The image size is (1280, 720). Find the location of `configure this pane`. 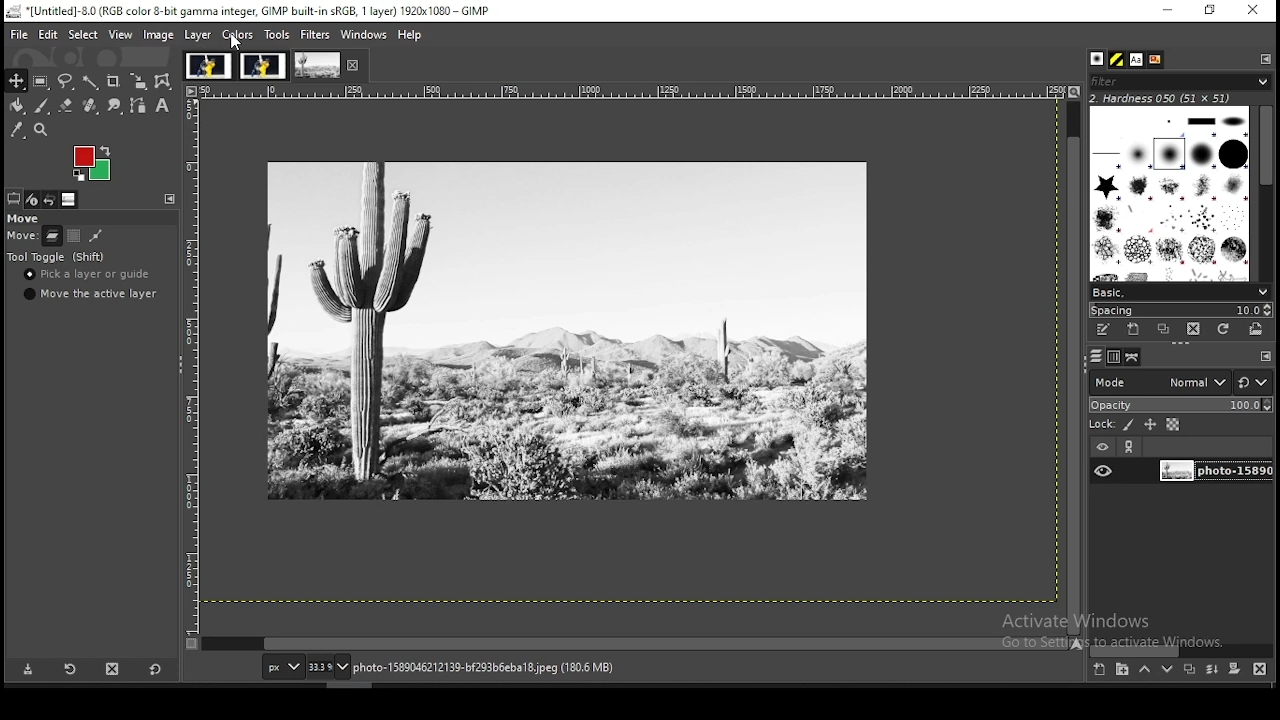

configure this pane is located at coordinates (1264, 58).